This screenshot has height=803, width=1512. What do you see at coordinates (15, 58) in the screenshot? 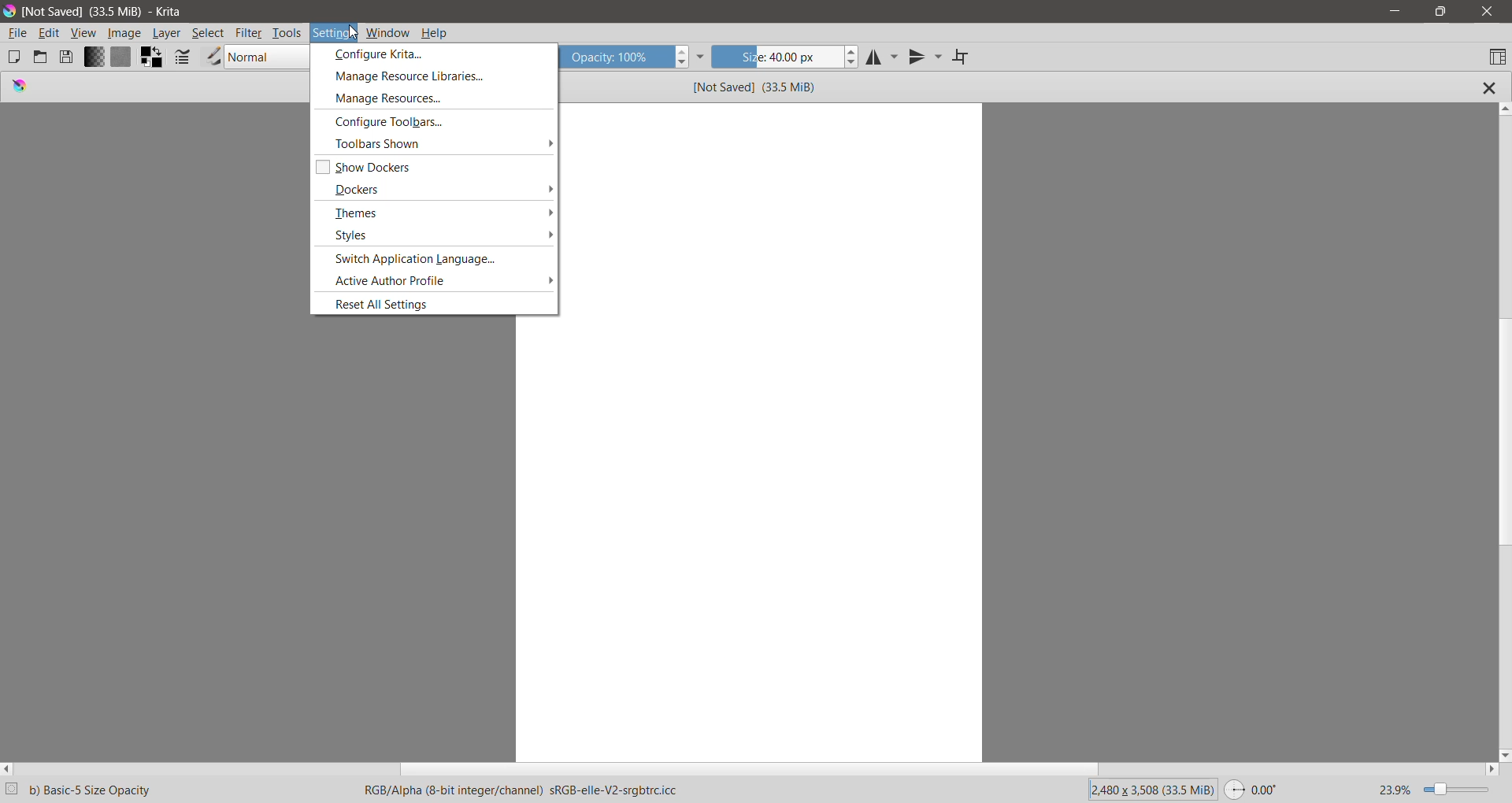
I see `Create New Document` at bounding box center [15, 58].